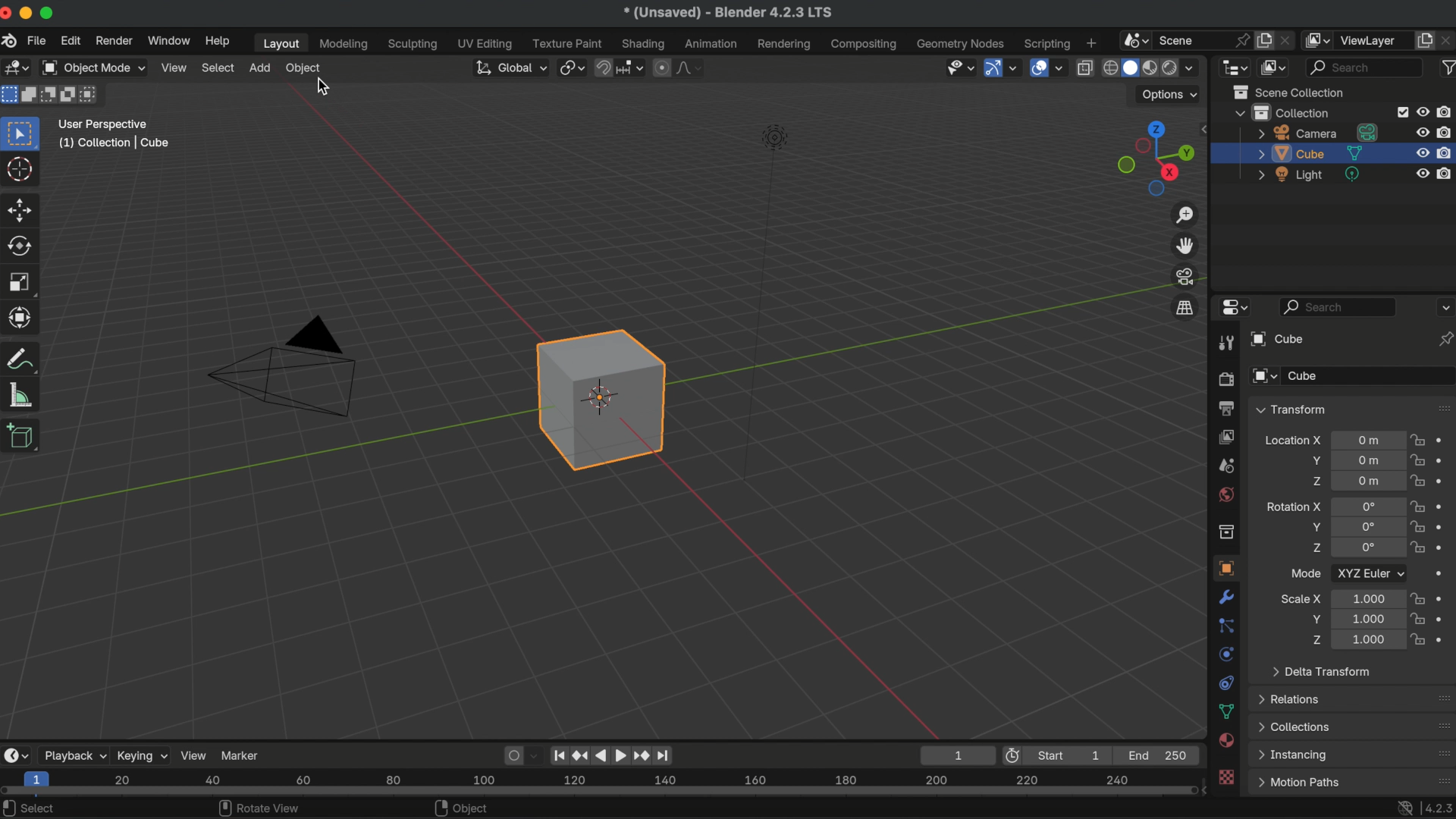  What do you see at coordinates (93, 68) in the screenshot?
I see `object mode drop down` at bounding box center [93, 68].